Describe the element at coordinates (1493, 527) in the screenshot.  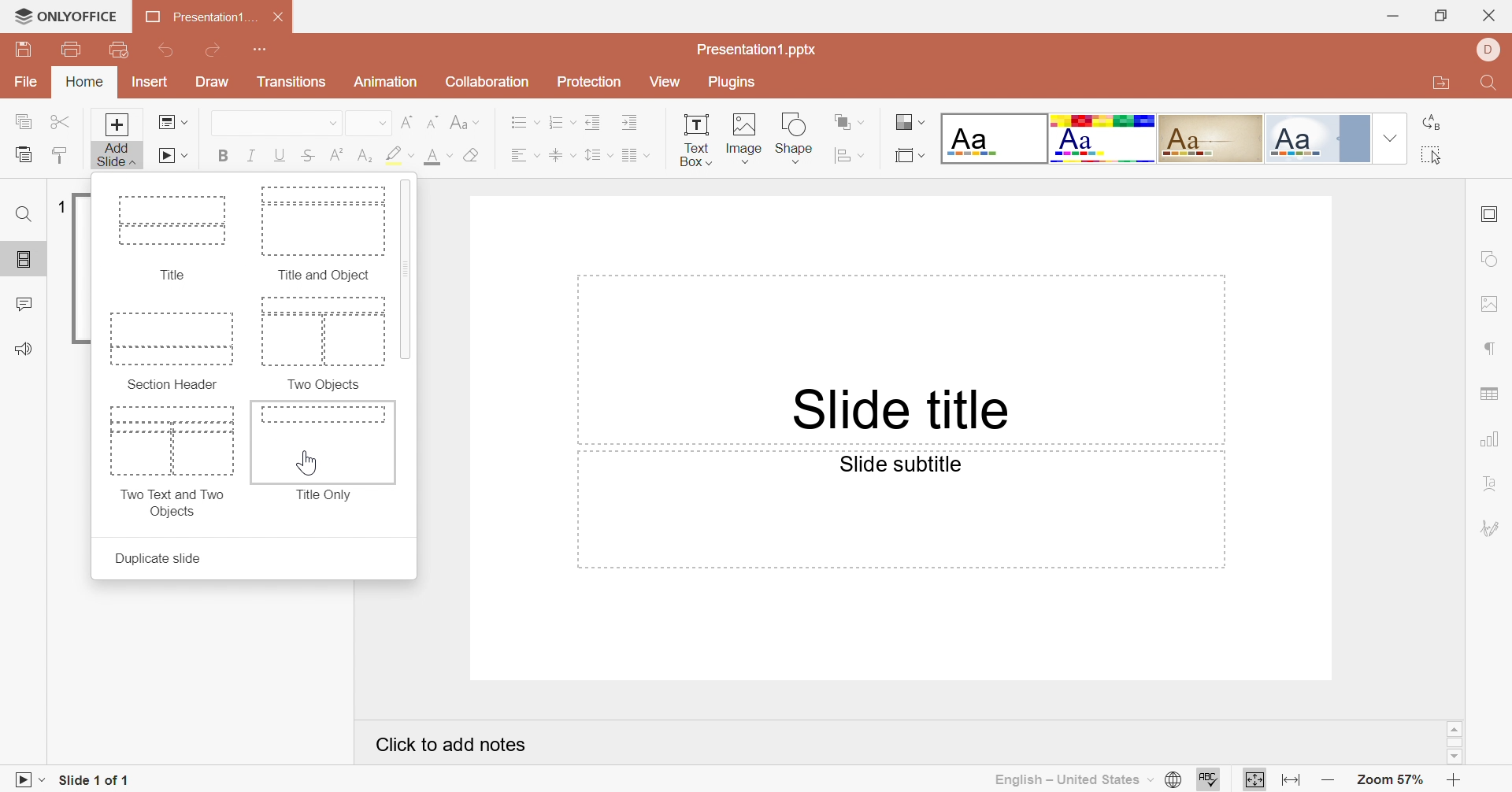
I see `Signature settings` at that location.